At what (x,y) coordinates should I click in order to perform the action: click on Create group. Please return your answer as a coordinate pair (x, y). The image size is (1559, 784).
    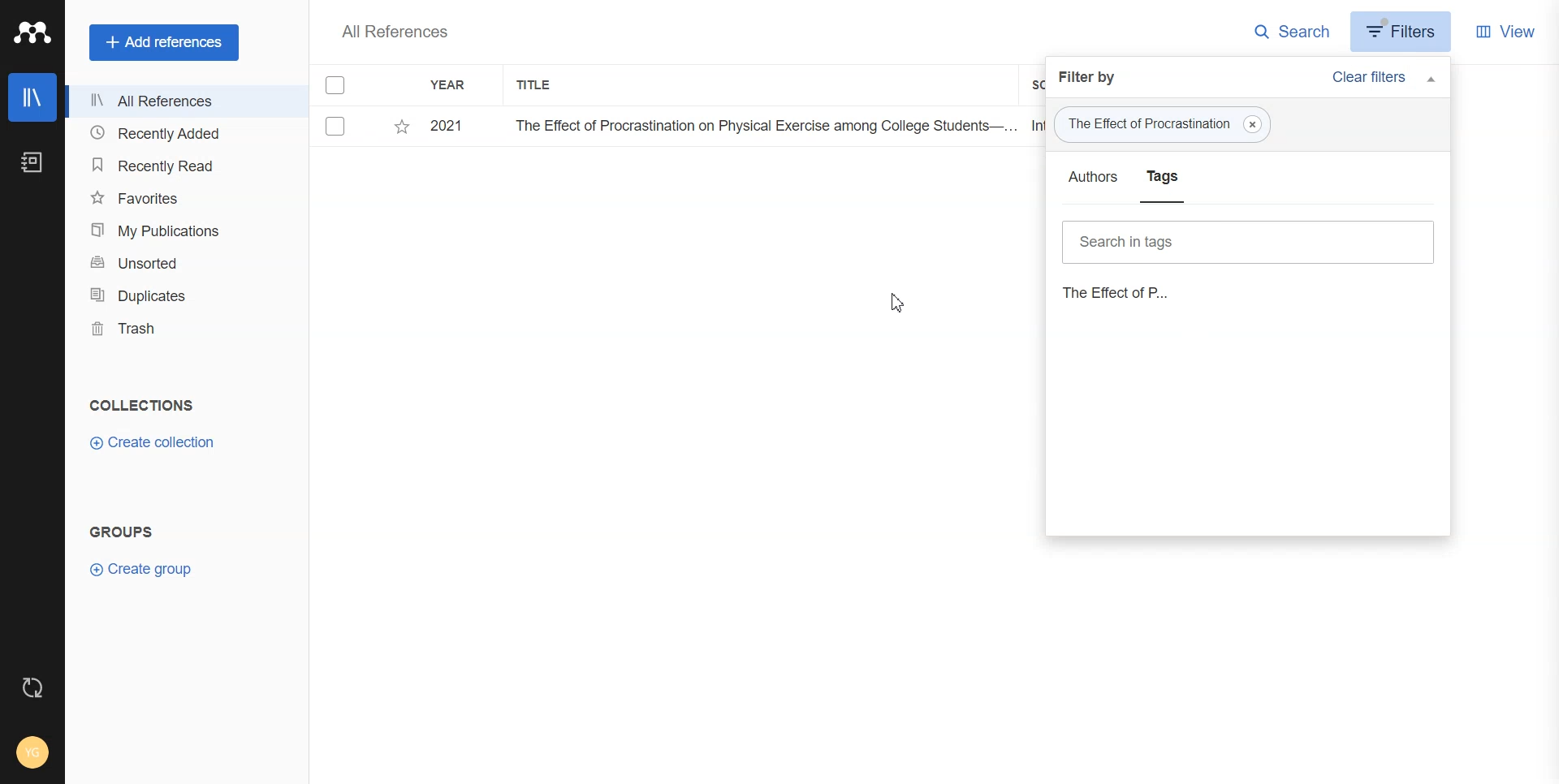
    Looking at the image, I should click on (145, 568).